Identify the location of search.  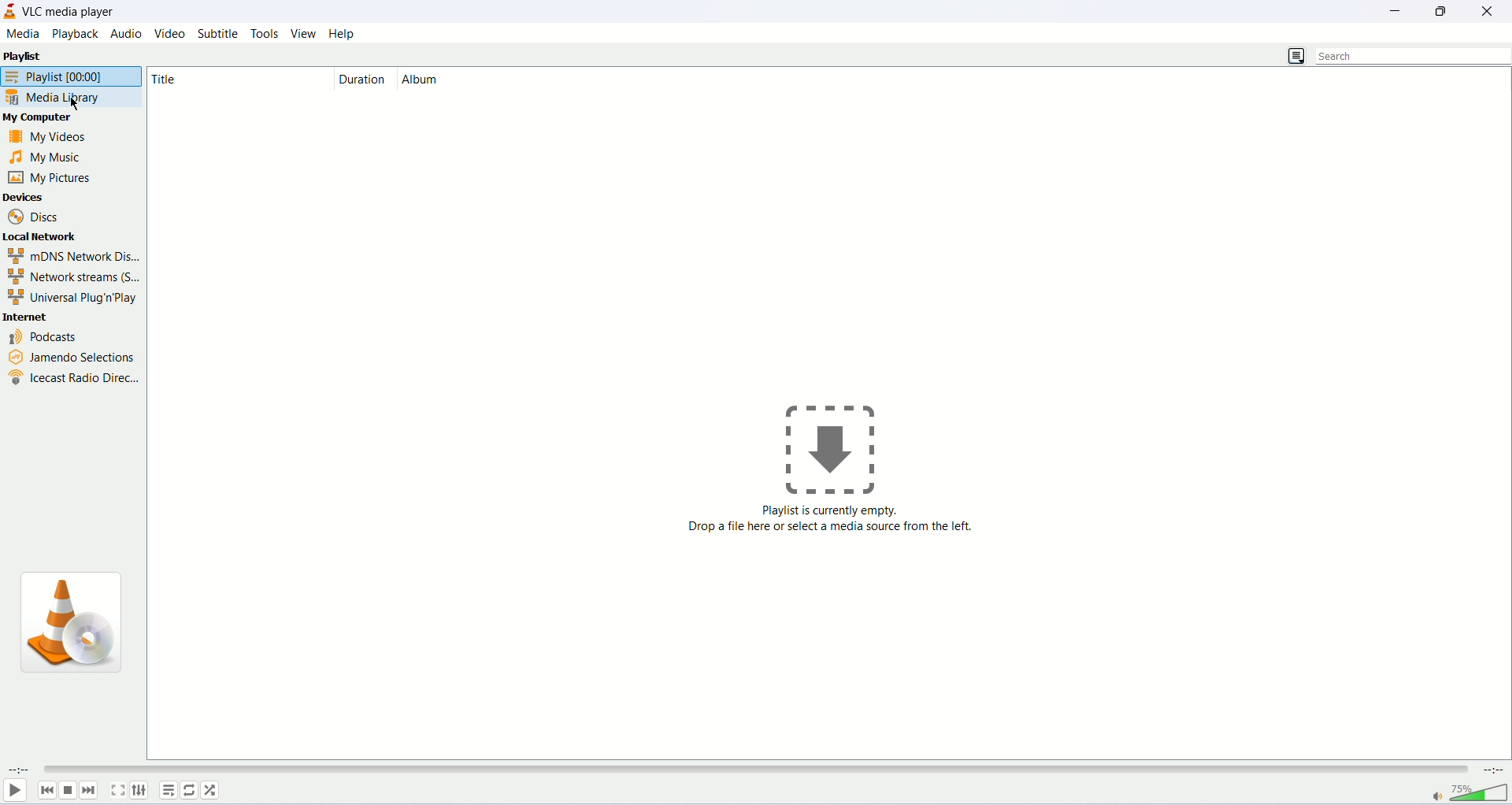
(1414, 56).